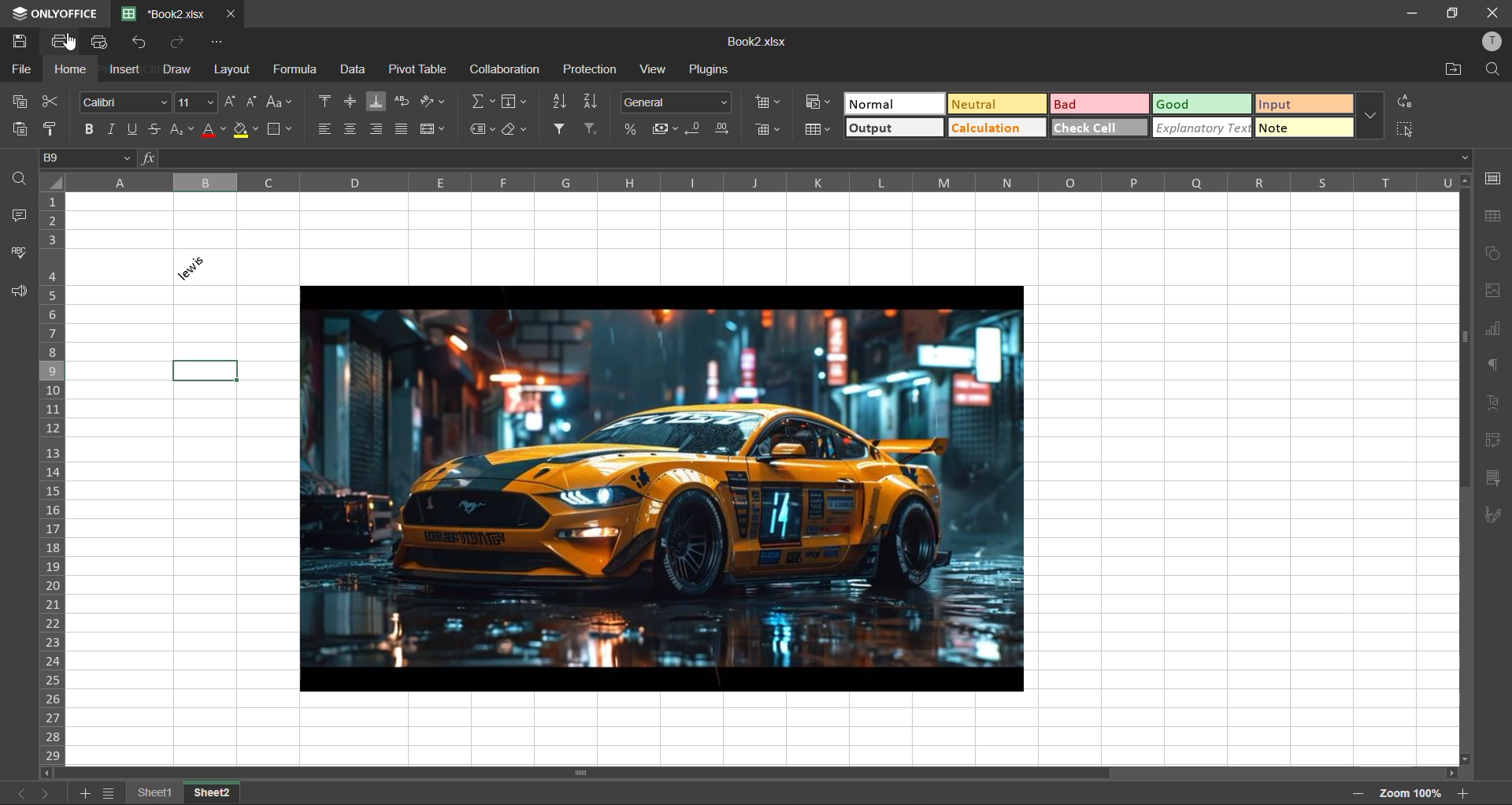  What do you see at coordinates (150, 158) in the screenshot?
I see `fx` at bounding box center [150, 158].